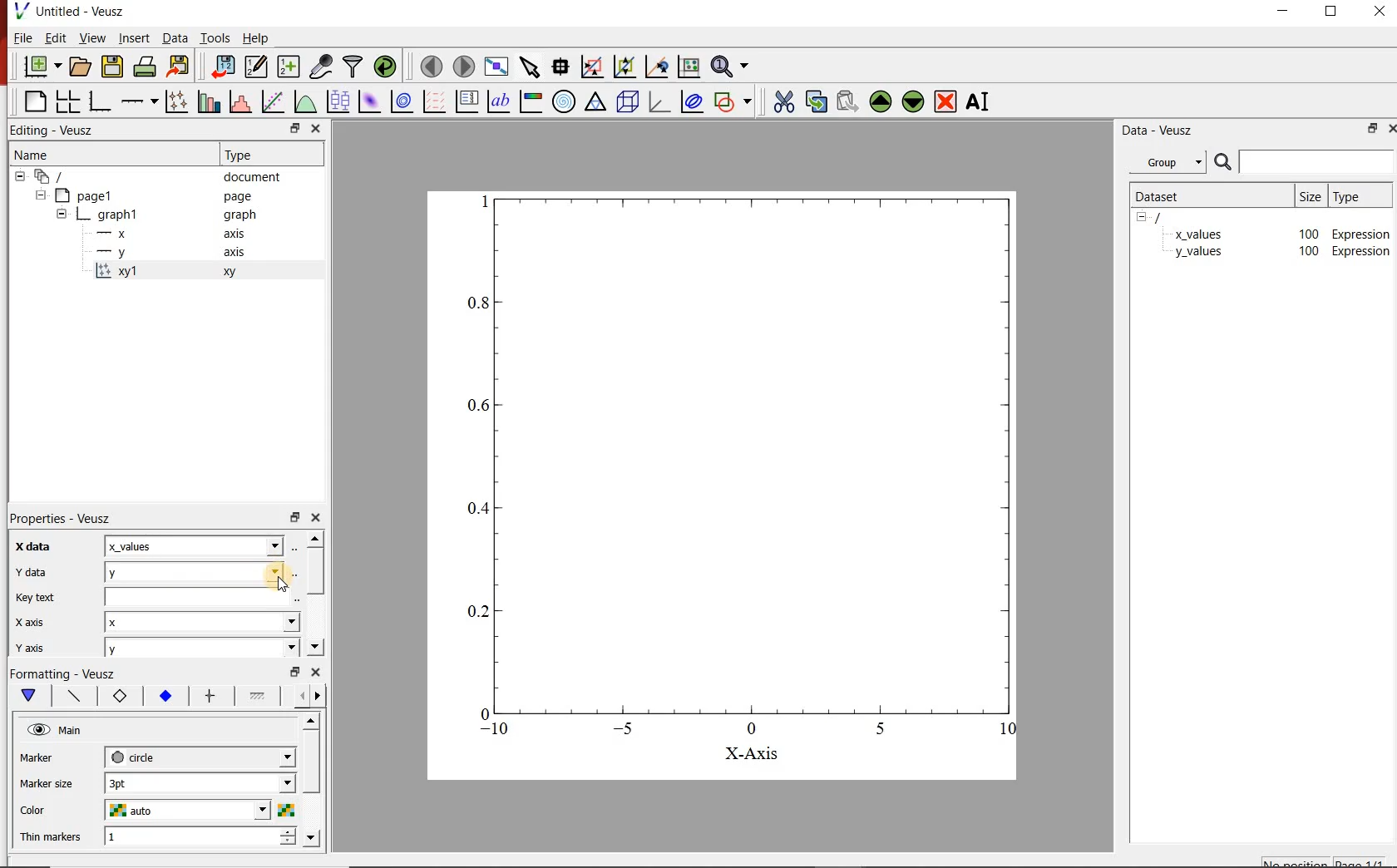 This screenshot has height=868, width=1397. What do you see at coordinates (258, 67) in the screenshot?
I see `edit and center new datasets` at bounding box center [258, 67].